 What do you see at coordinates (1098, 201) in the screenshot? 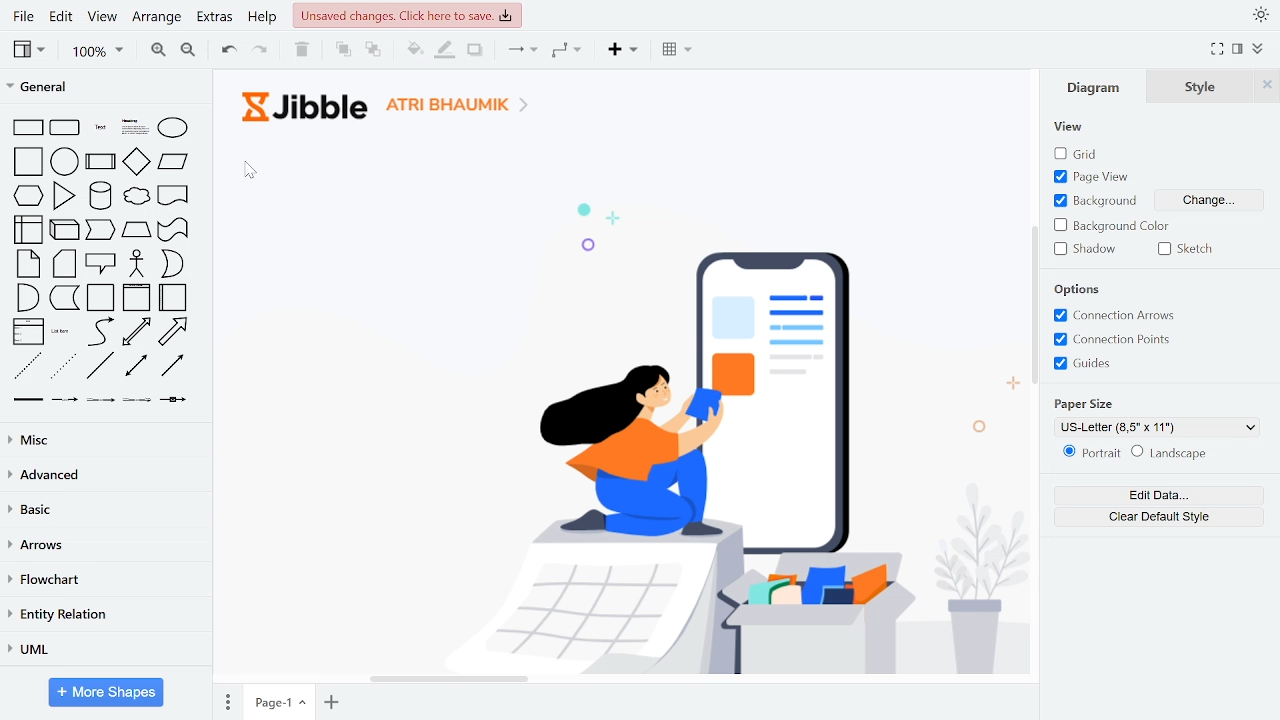
I see `text` at bounding box center [1098, 201].